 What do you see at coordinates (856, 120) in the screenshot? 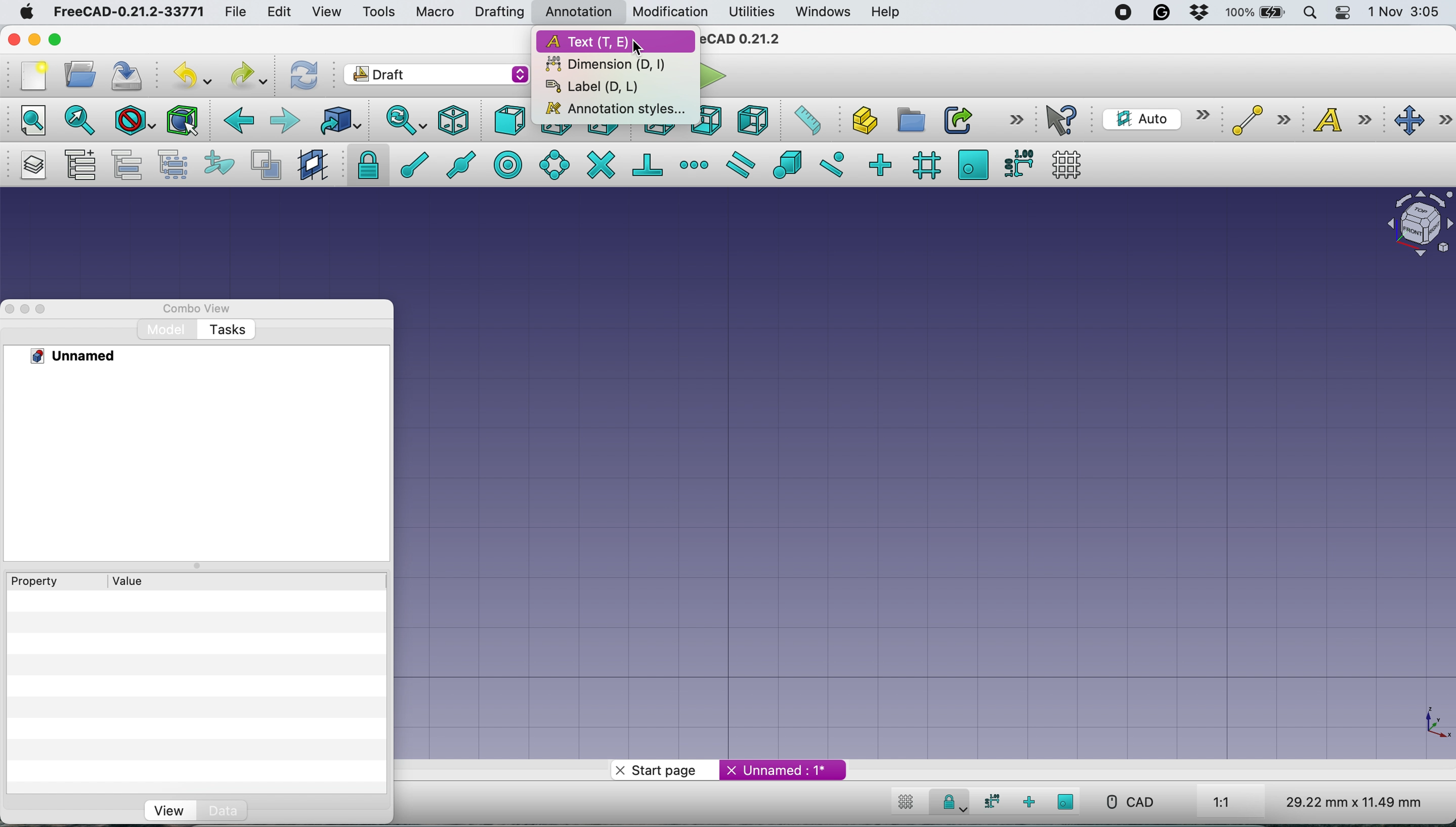
I see `create object` at bounding box center [856, 120].